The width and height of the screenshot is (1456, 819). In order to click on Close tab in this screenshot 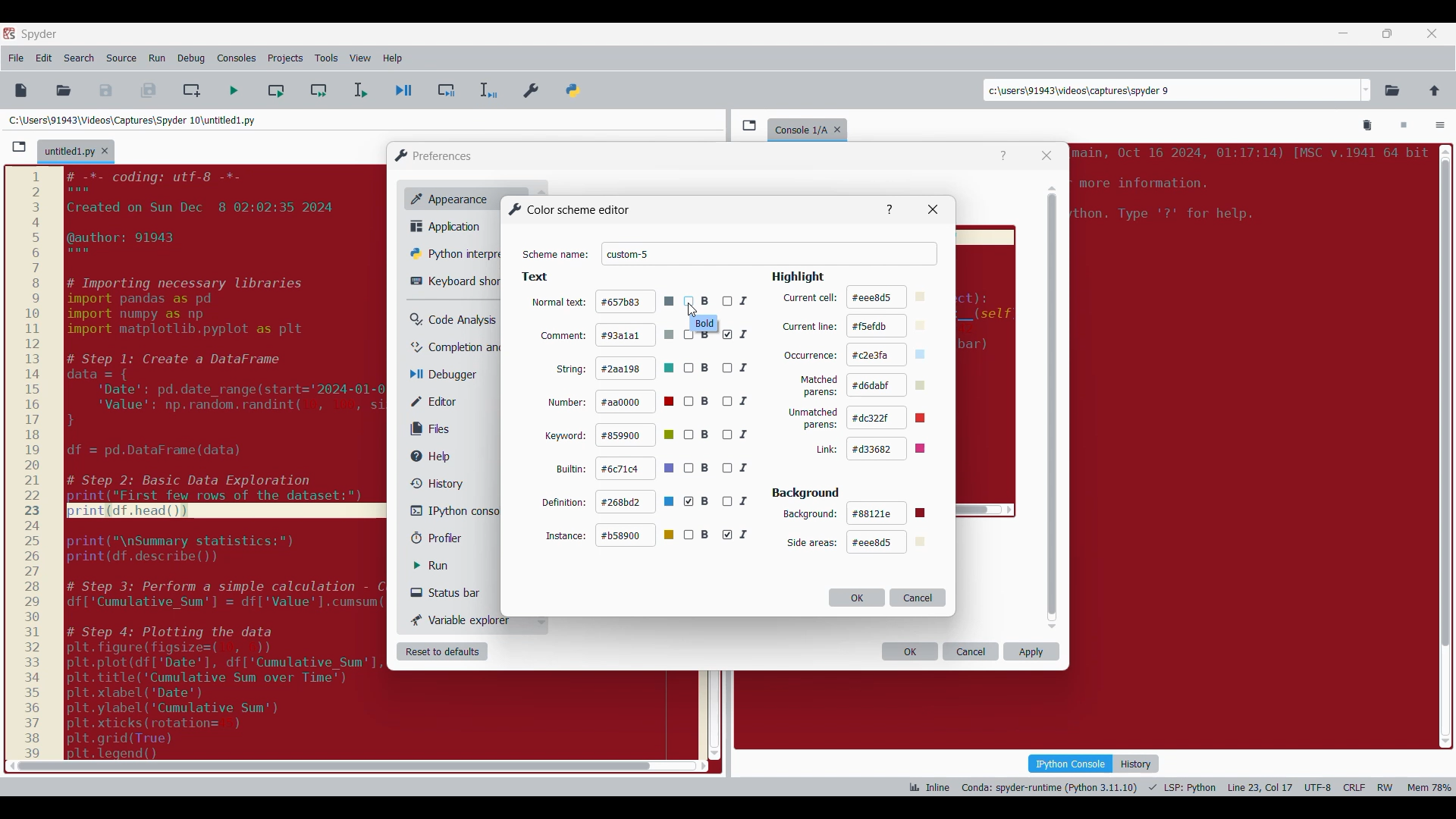, I will do `click(105, 151)`.